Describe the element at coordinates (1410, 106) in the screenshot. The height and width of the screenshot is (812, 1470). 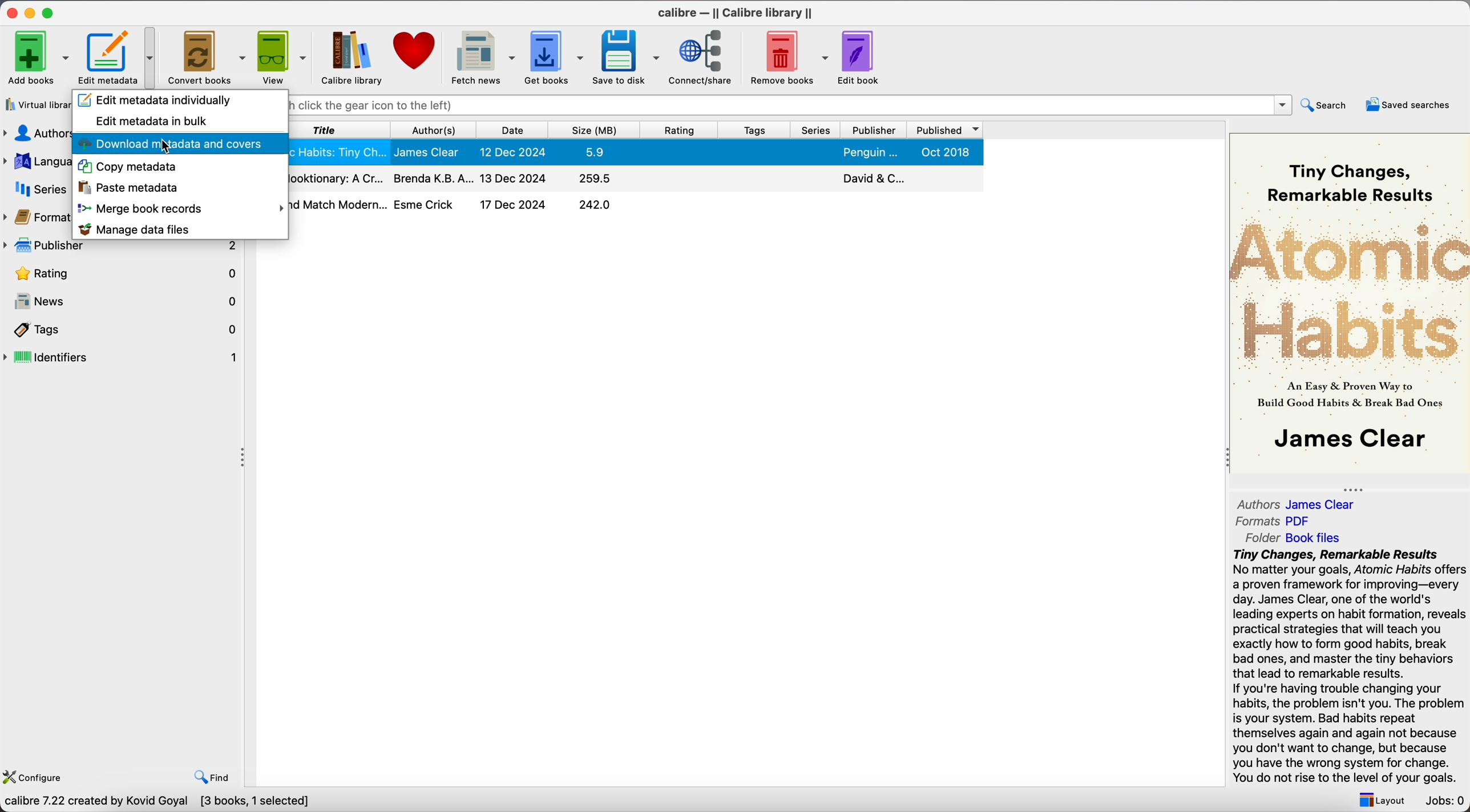
I see `saved searches` at that location.